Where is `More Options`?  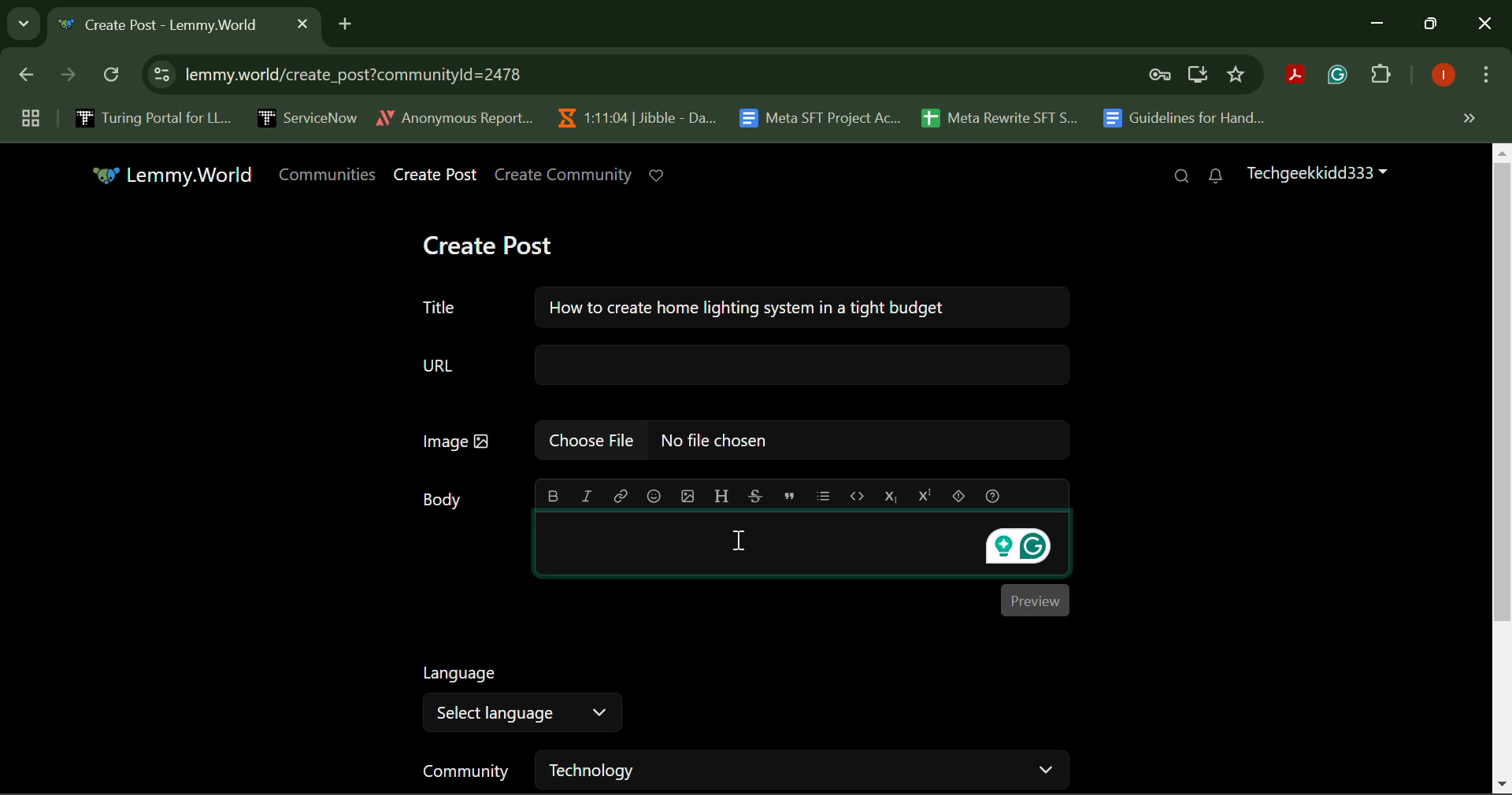
More Options is located at coordinates (1484, 78).